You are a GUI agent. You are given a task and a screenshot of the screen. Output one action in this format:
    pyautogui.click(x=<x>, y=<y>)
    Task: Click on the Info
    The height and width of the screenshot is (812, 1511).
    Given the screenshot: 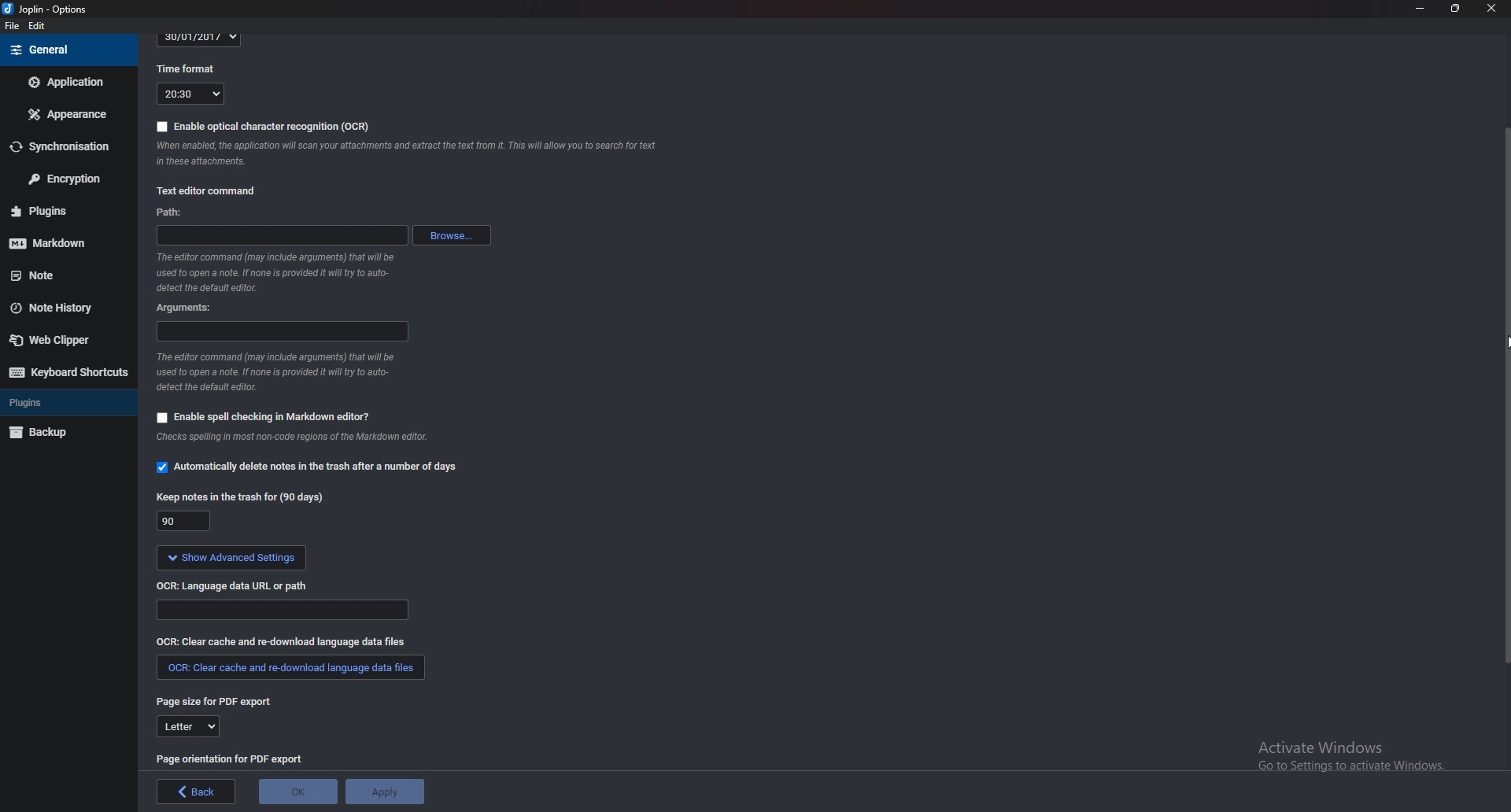 What is the action you would take?
    pyautogui.click(x=283, y=272)
    